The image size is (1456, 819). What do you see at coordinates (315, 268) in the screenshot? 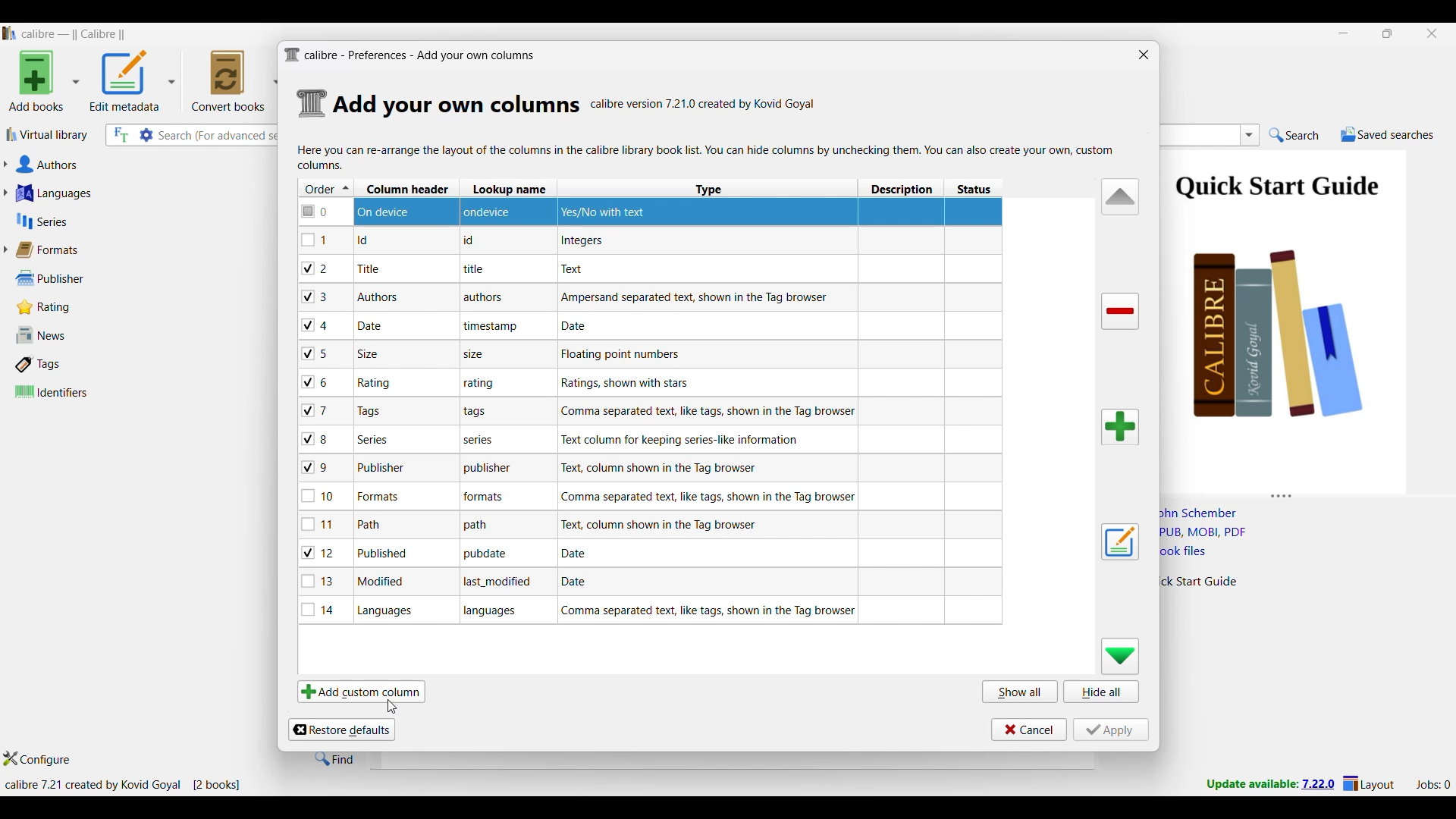
I see `checkbox - 2` at bounding box center [315, 268].